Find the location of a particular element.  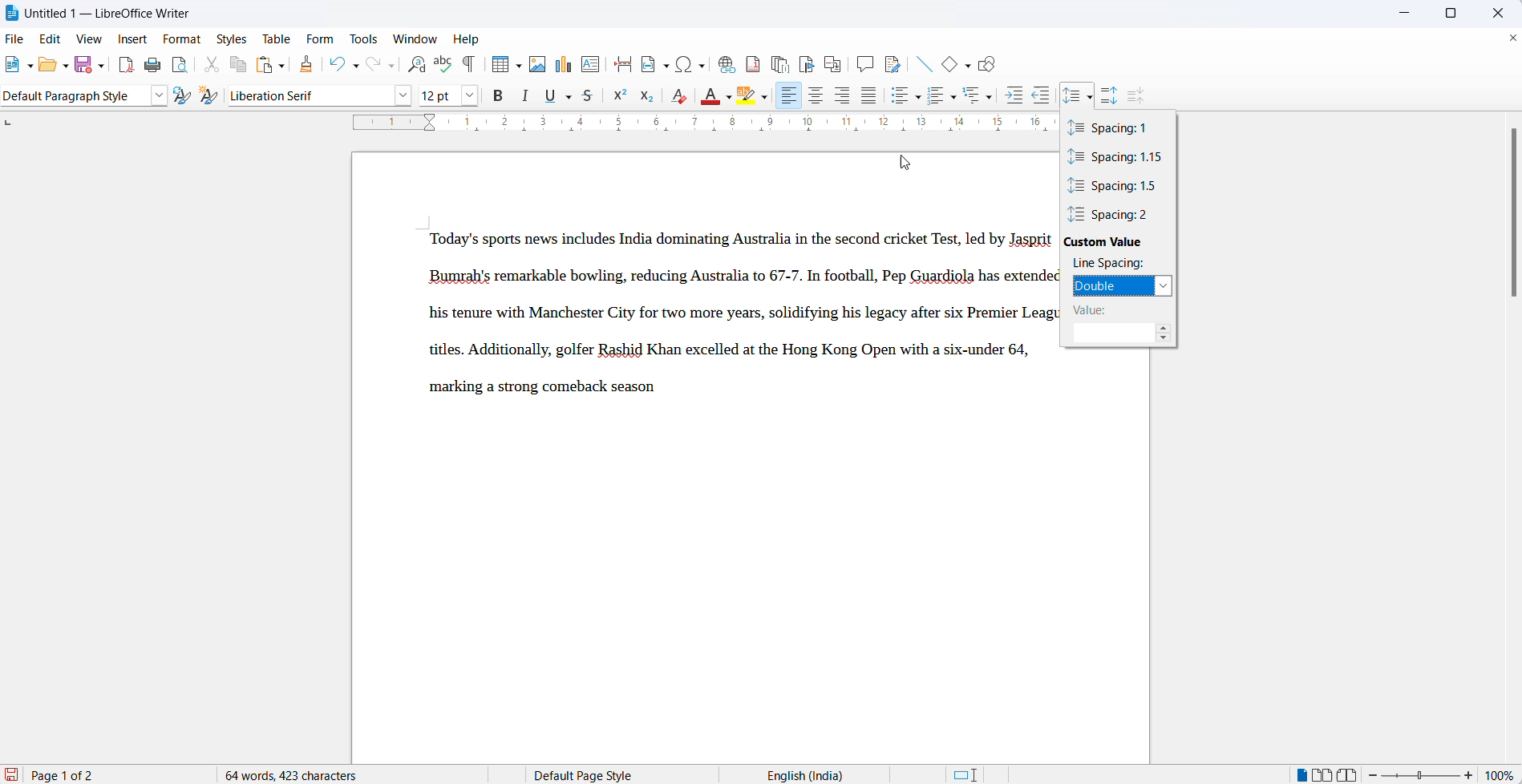

toggle unordered list is located at coordinates (918, 98).